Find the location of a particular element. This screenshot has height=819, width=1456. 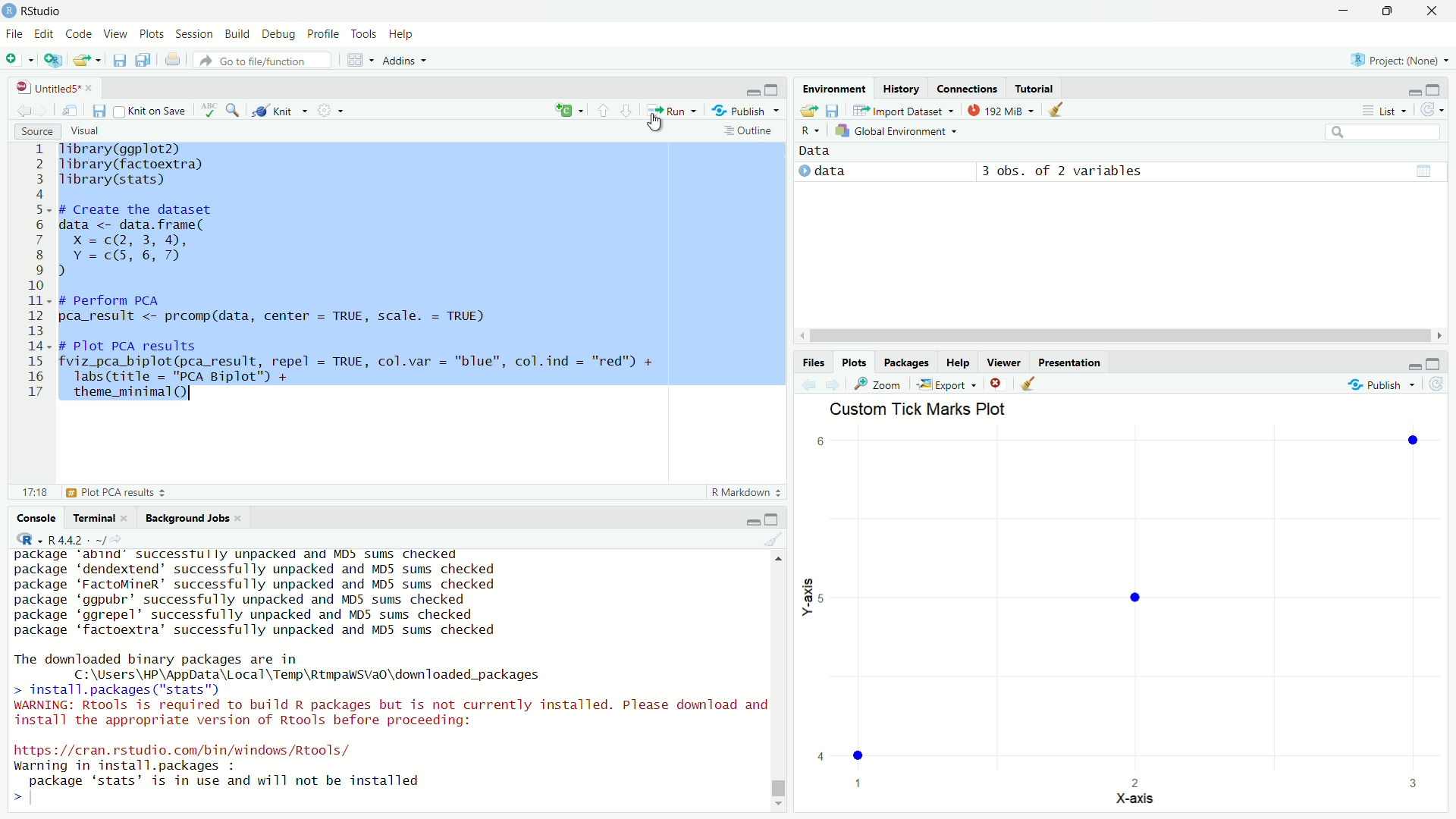

settings is located at coordinates (328, 108).